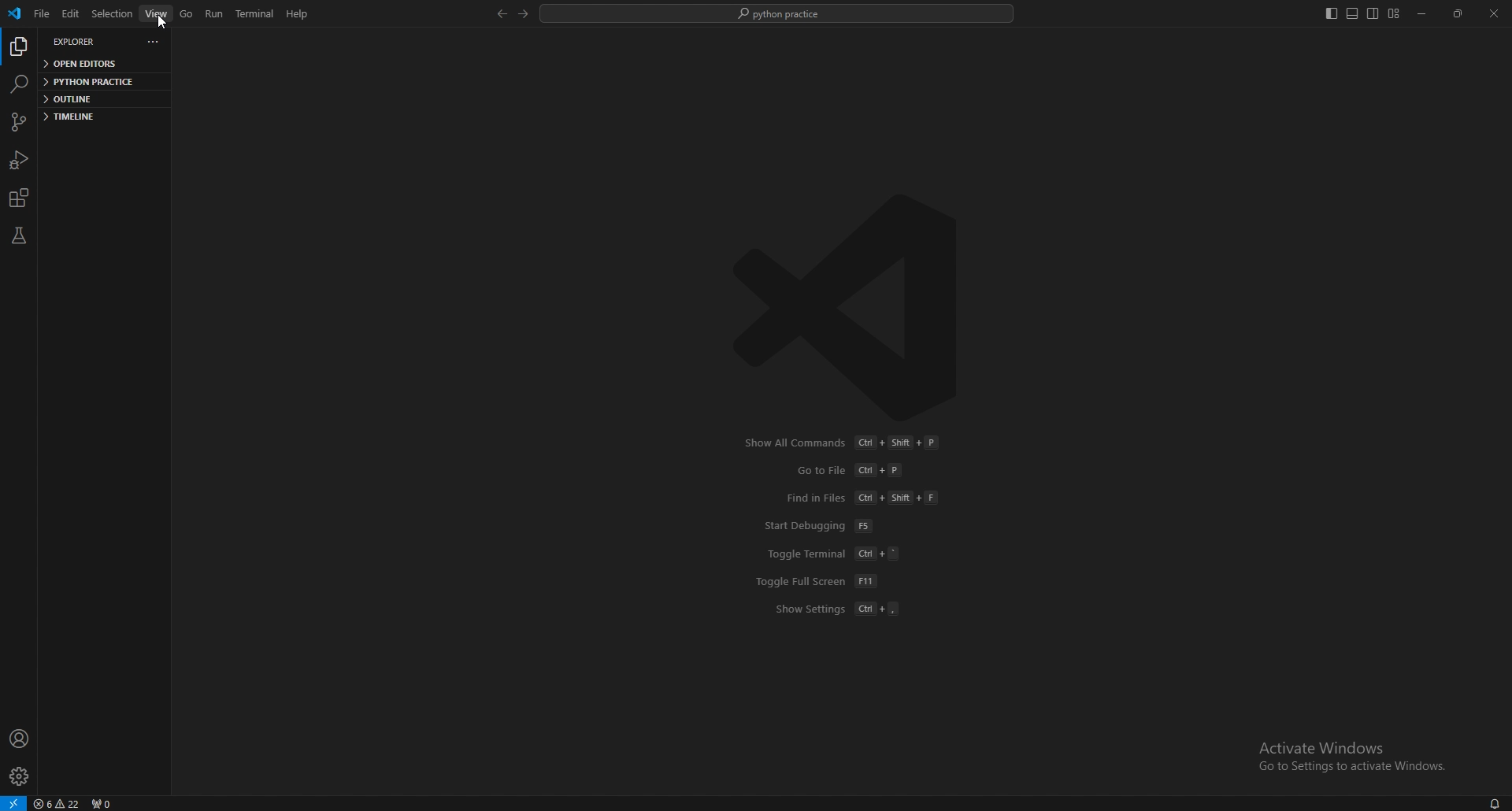  Describe the element at coordinates (17, 14) in the screenshot. I see `vscode` at that location.